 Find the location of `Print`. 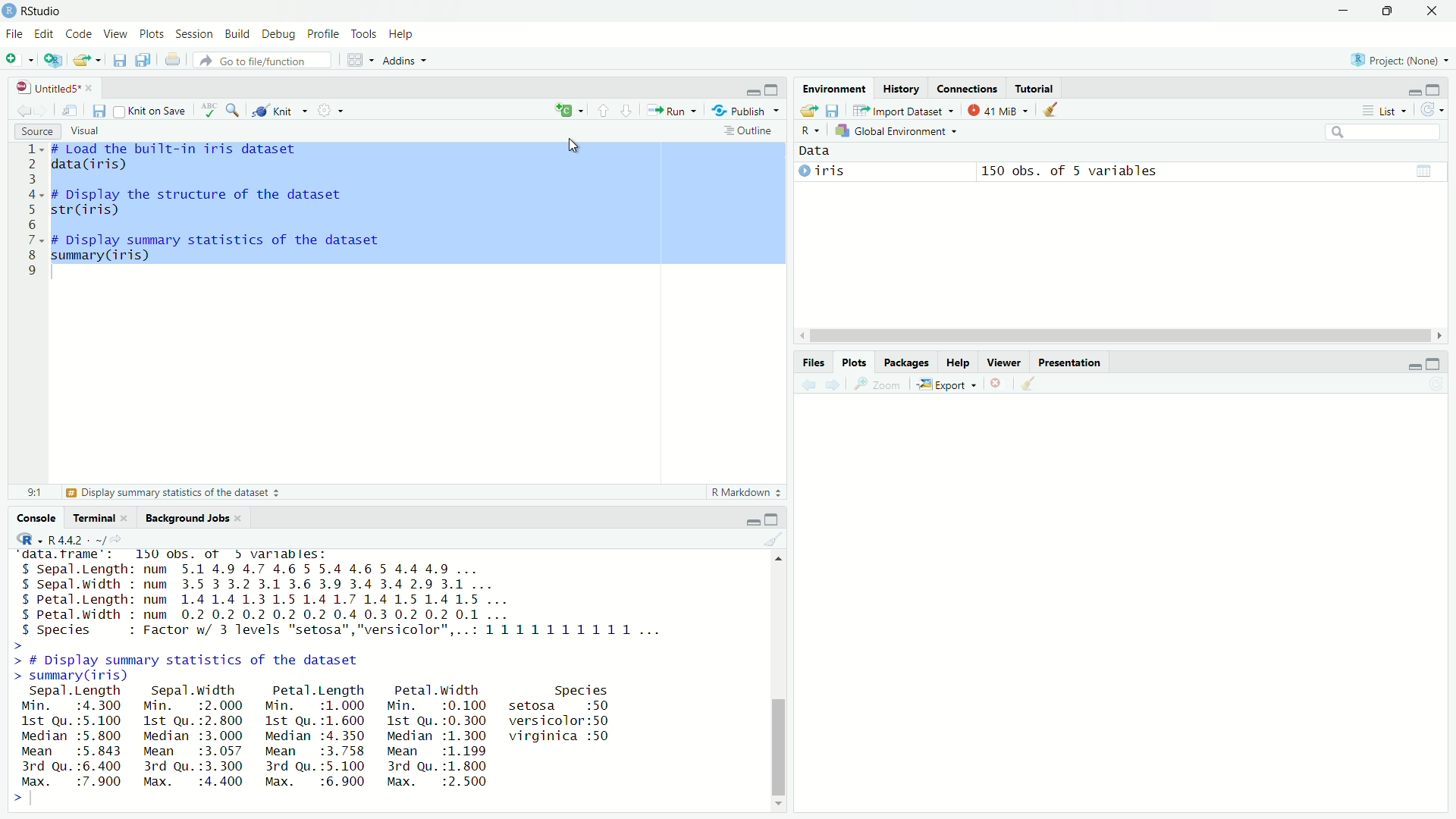

Print is located at coordinates (172, 58).